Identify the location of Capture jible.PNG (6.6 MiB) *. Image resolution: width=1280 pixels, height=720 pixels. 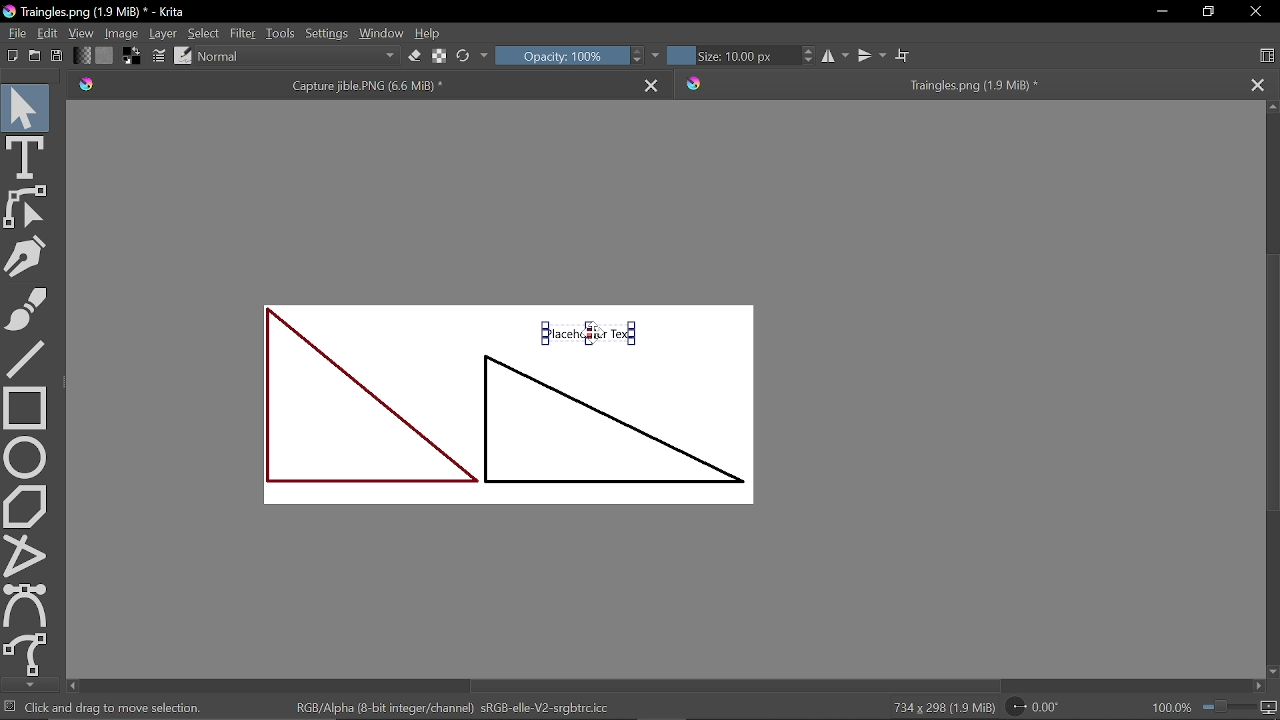
(354, 85).